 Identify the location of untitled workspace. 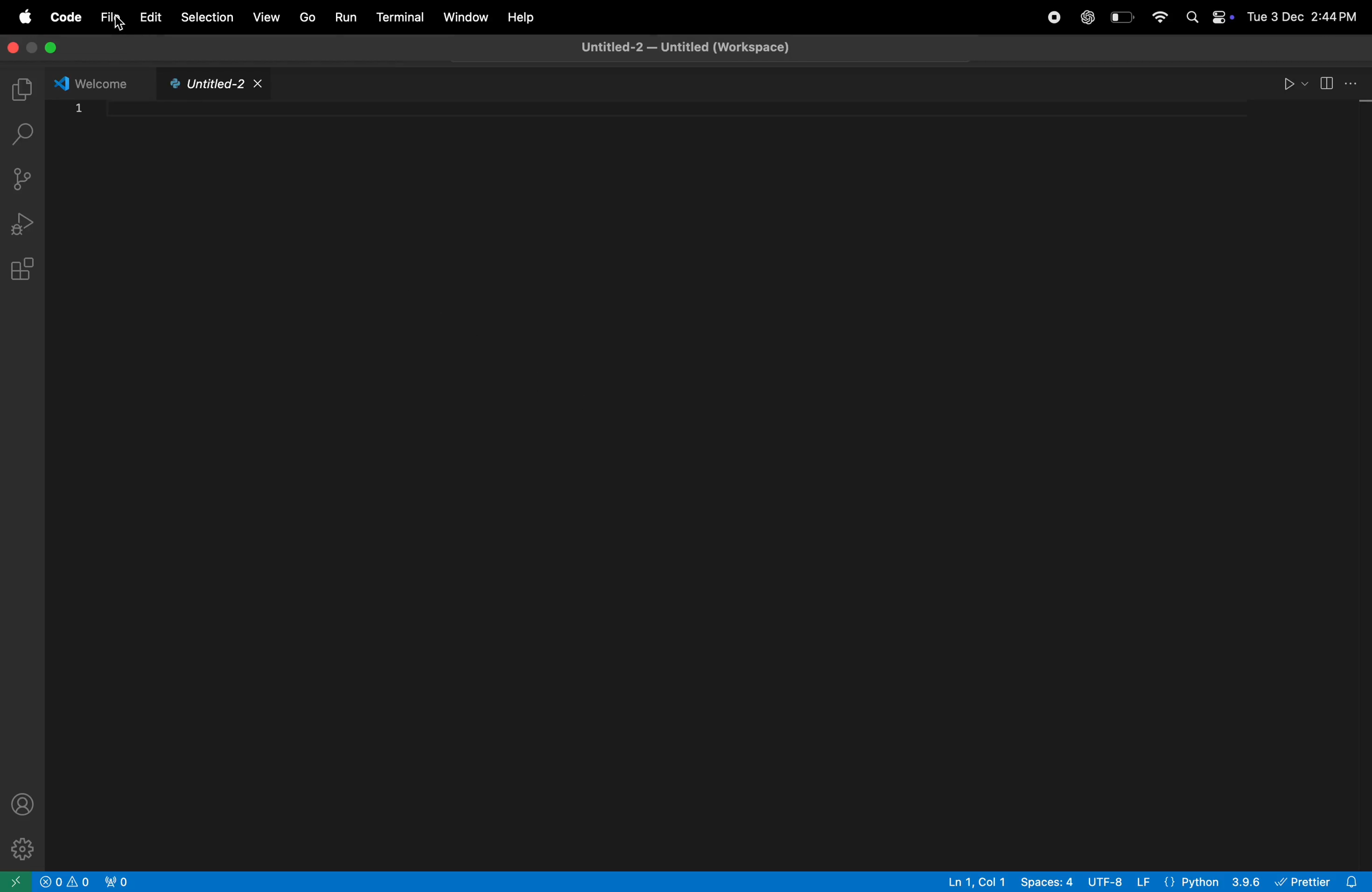
(694, 47).